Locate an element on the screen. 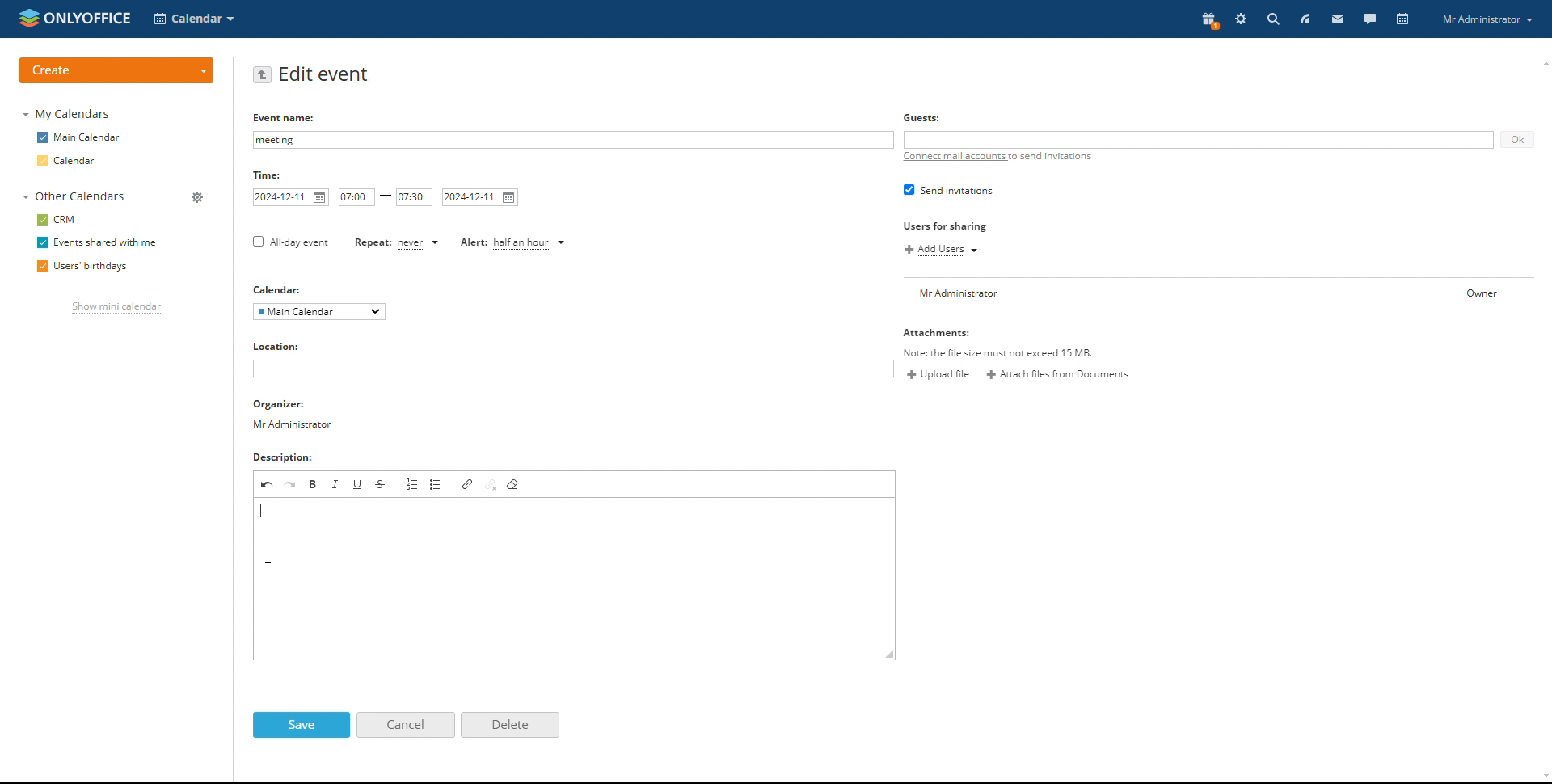 This screenshot has width=1552, height=784. set repetition is located at coordinates (420, 243).